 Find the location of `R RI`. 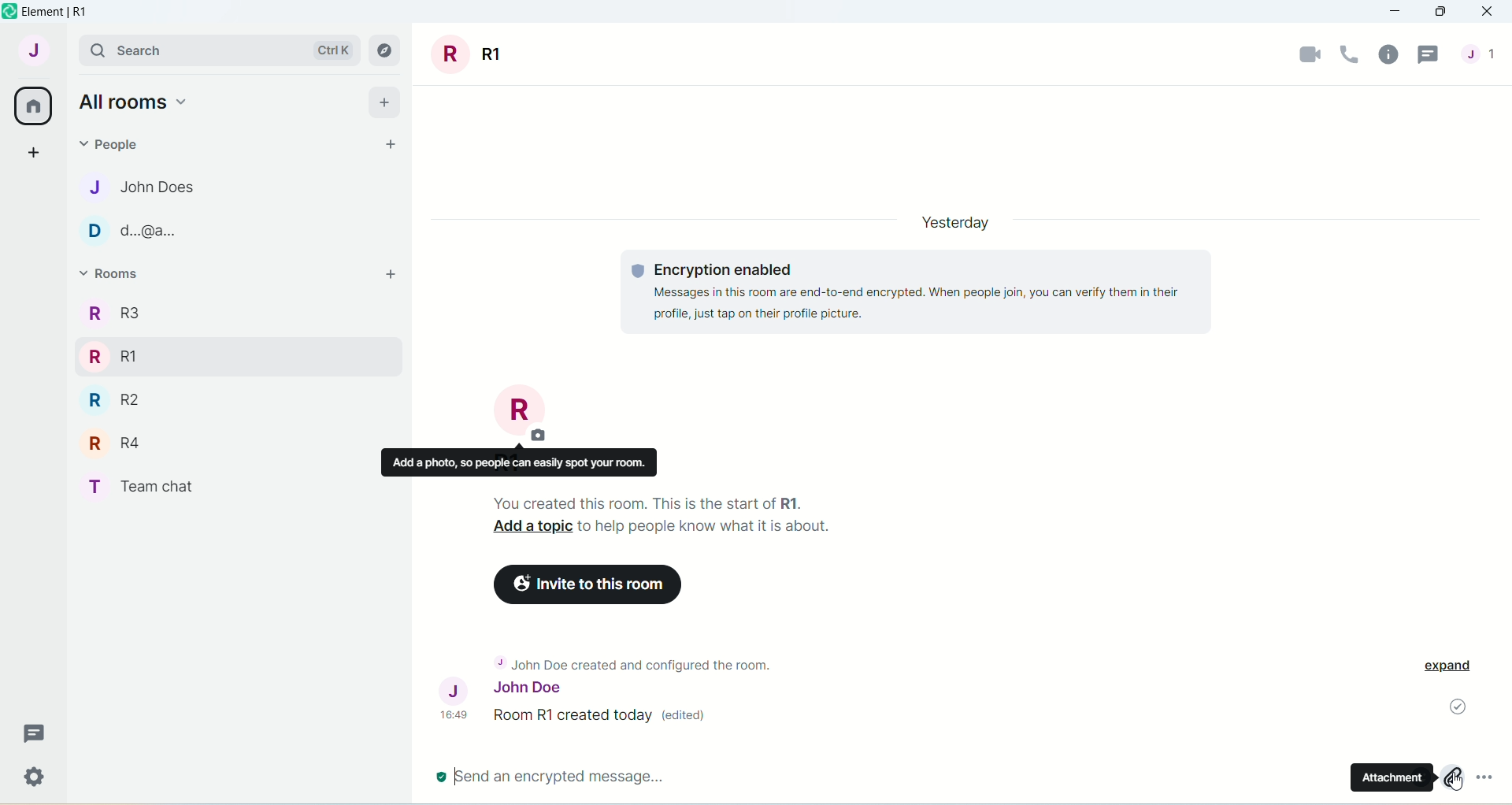

R RI is located at coordinates (113, 357).